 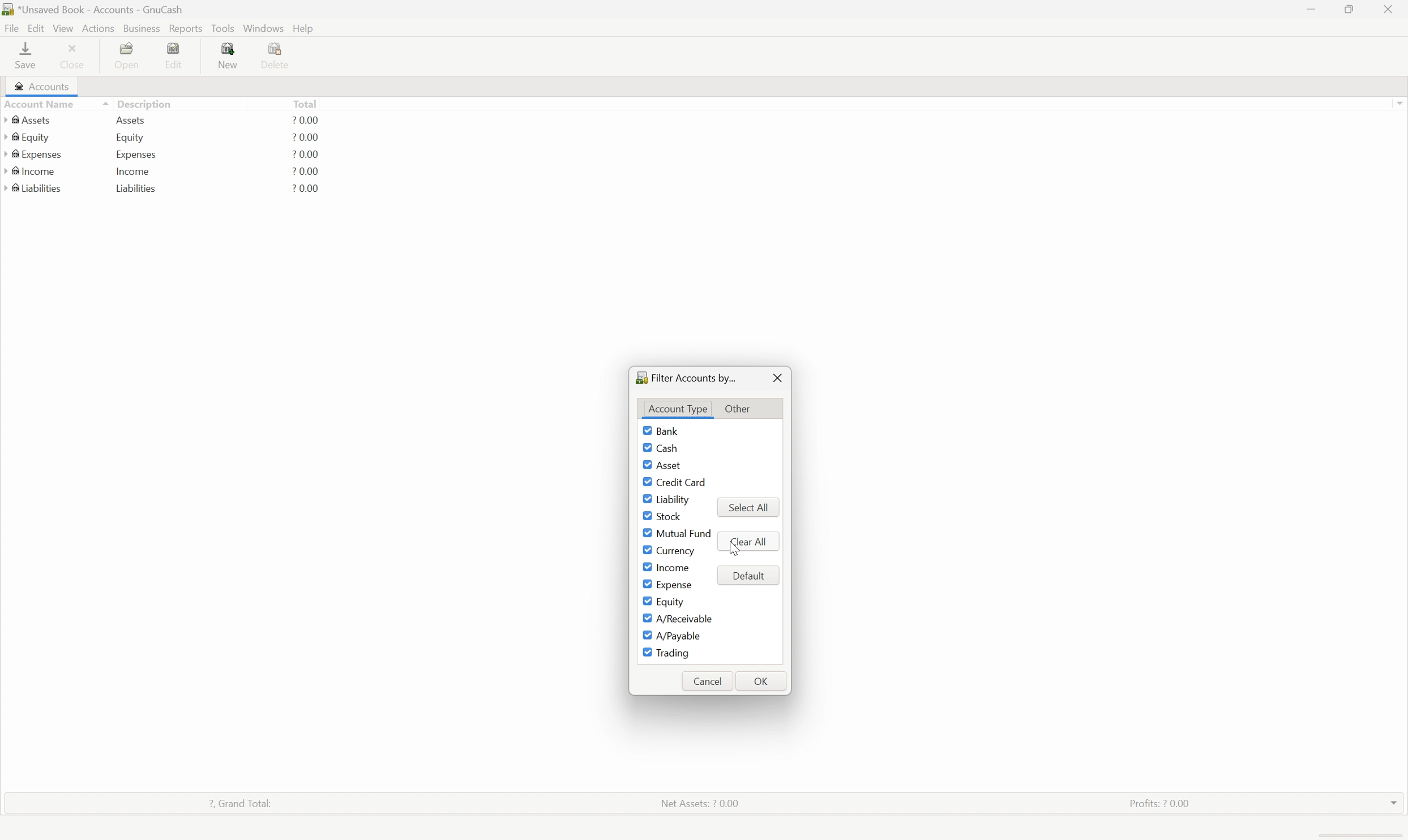 What do you see at coordinates (643, 601) in the screenshot?
I see `Checkbox` at bounding box center [643, 601].